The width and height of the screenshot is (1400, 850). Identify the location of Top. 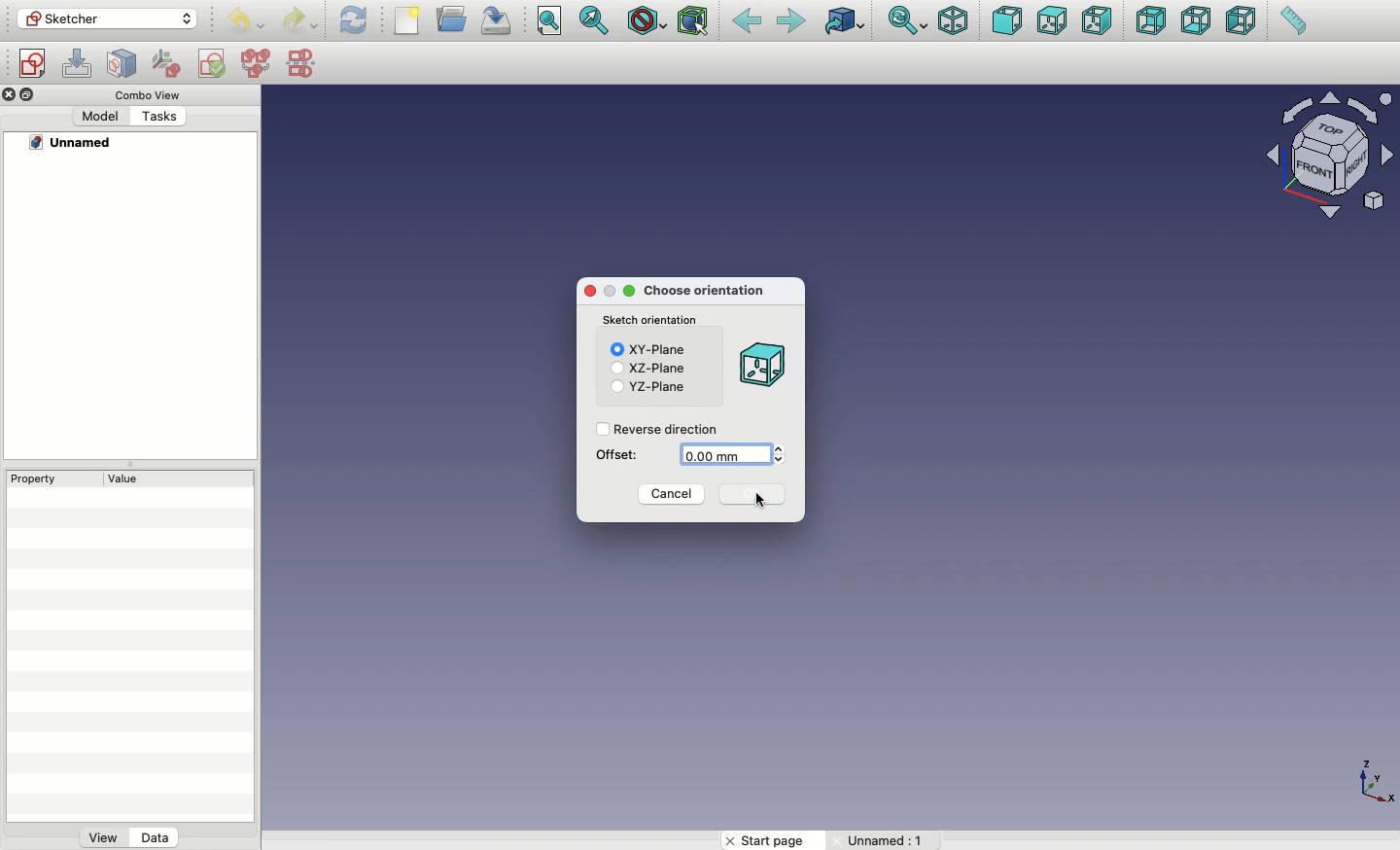
(1050, 22).